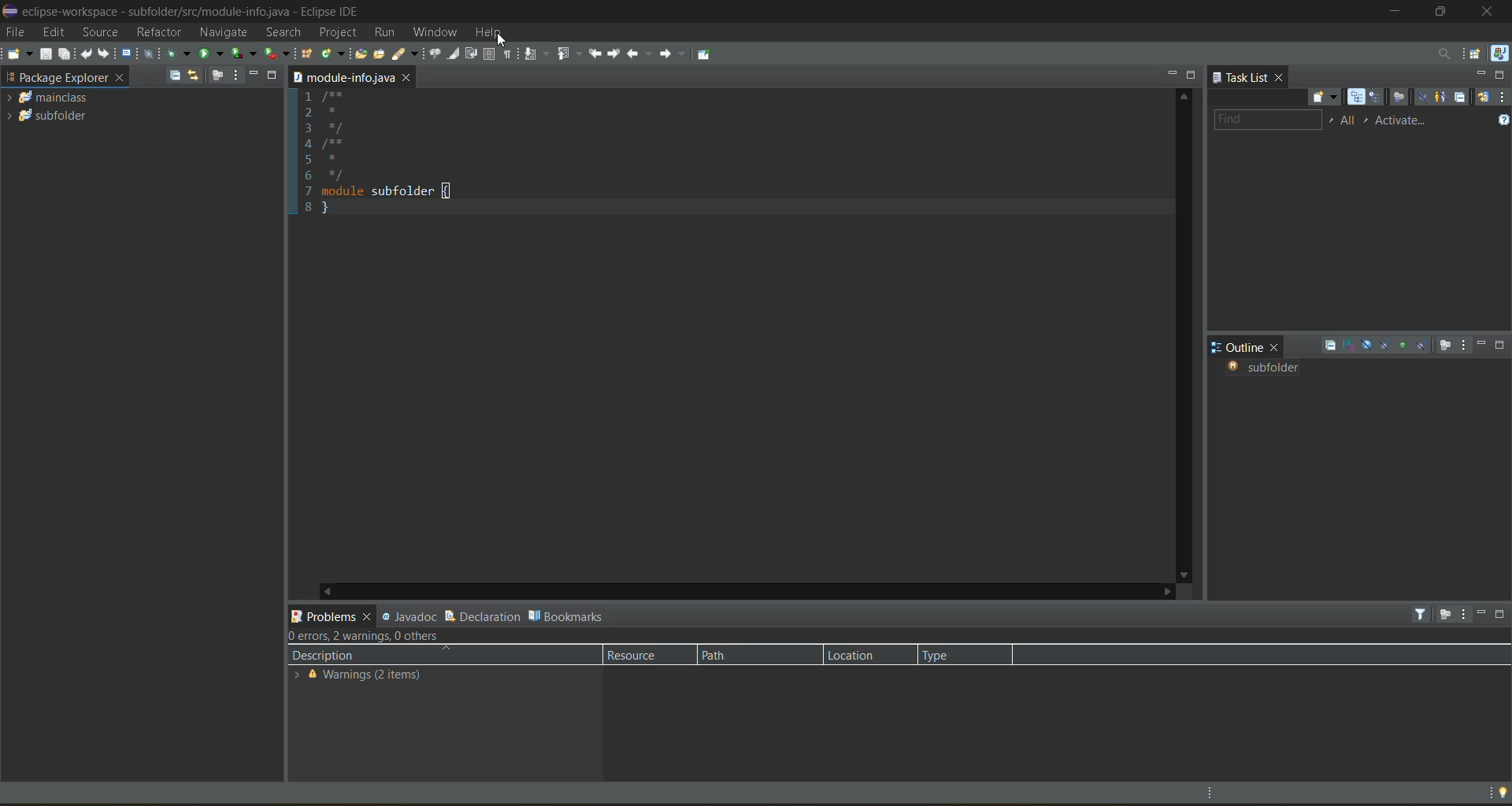 This screenshot has height=806, width=1512. Describe the element at coordinates (1476, 54) in the screenshot. I see `open perspective` at that location.